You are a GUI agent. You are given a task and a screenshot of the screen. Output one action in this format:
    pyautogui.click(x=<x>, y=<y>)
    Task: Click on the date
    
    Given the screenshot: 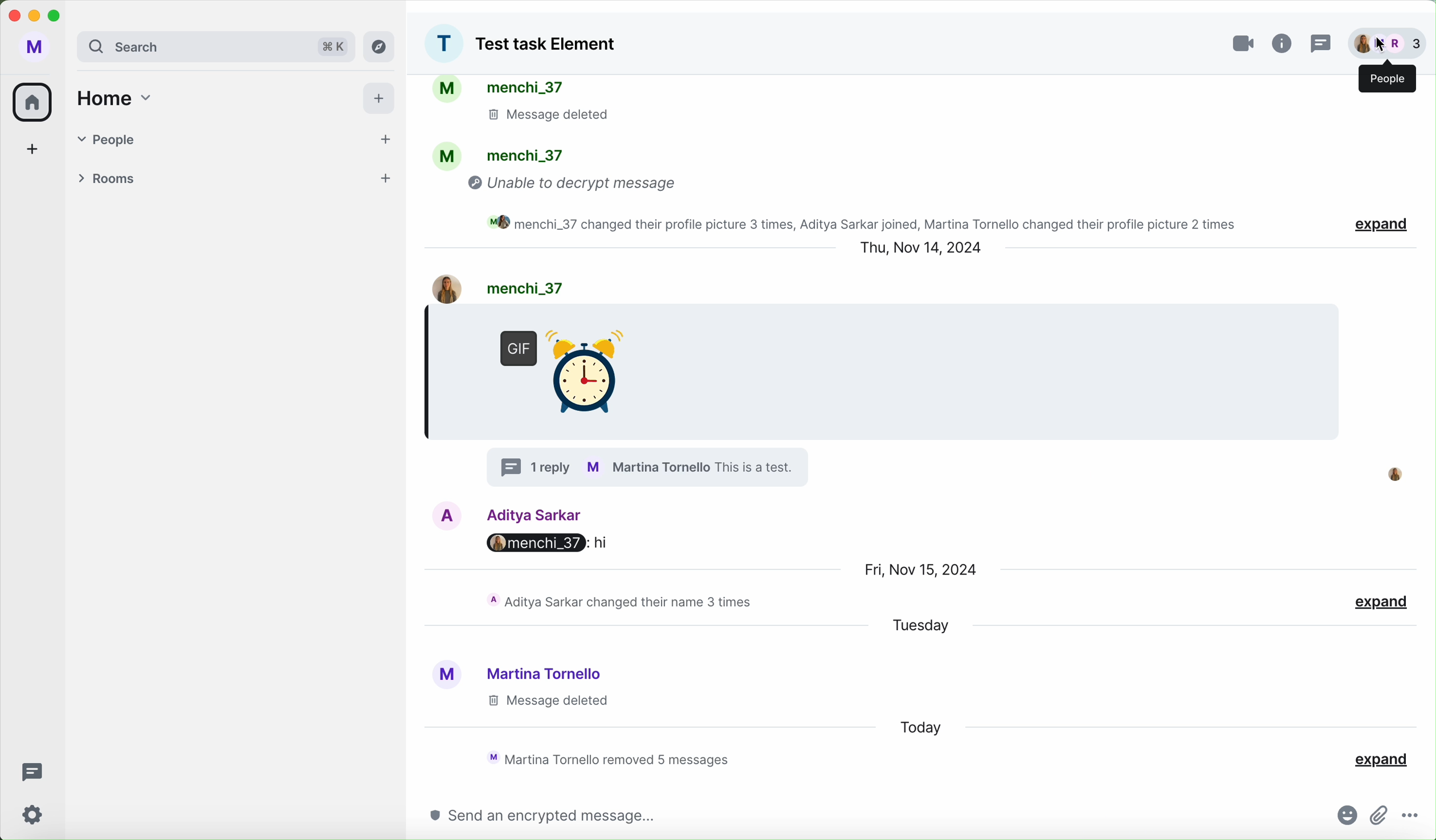 What is the action you would take?
    pyautogui.click(x=923, y=569)
    